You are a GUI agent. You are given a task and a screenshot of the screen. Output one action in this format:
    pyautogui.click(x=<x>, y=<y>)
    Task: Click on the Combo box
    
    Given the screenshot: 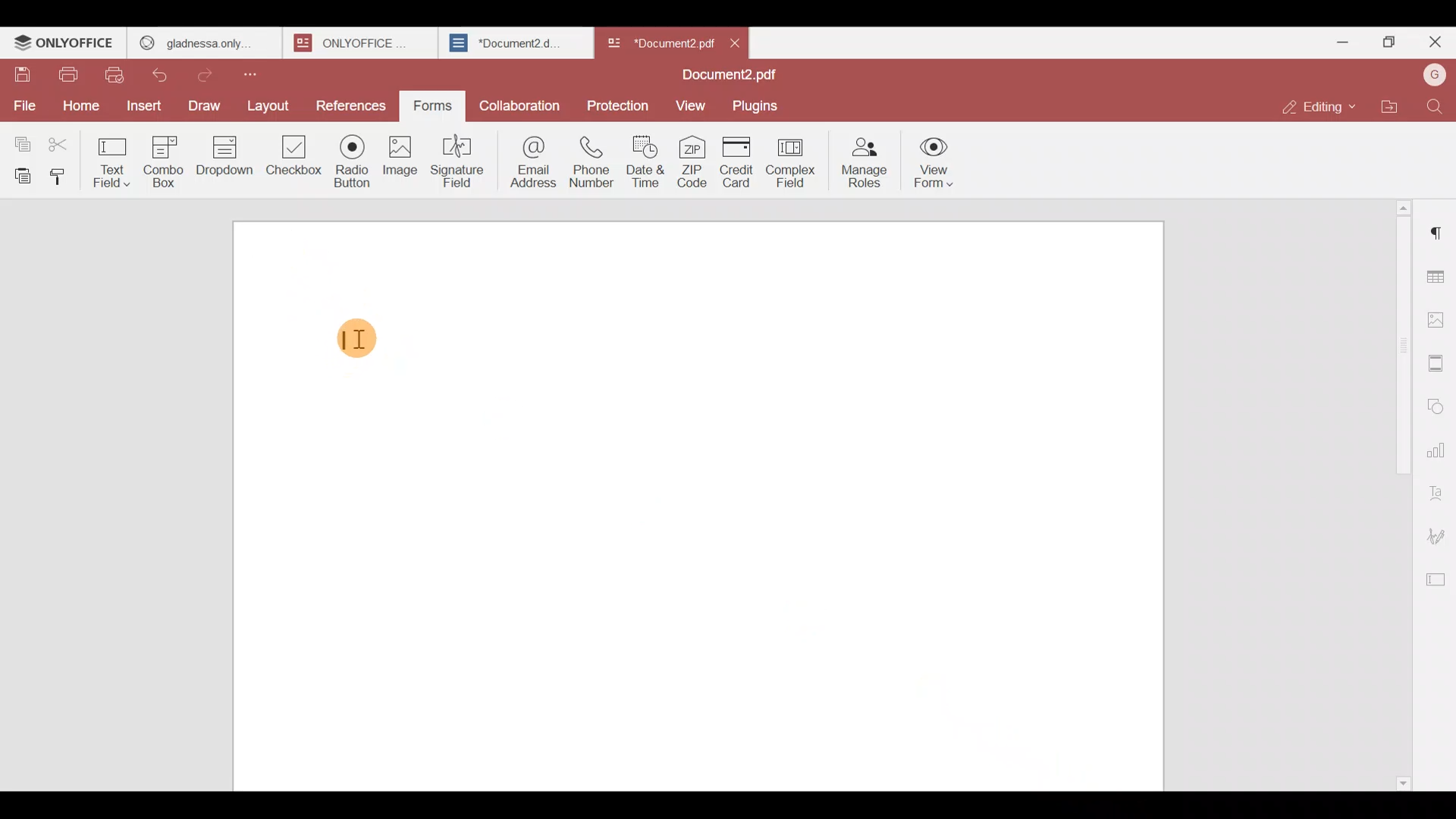 What is the action you would take?
    pyautogui.click(x=161, y=161)
    